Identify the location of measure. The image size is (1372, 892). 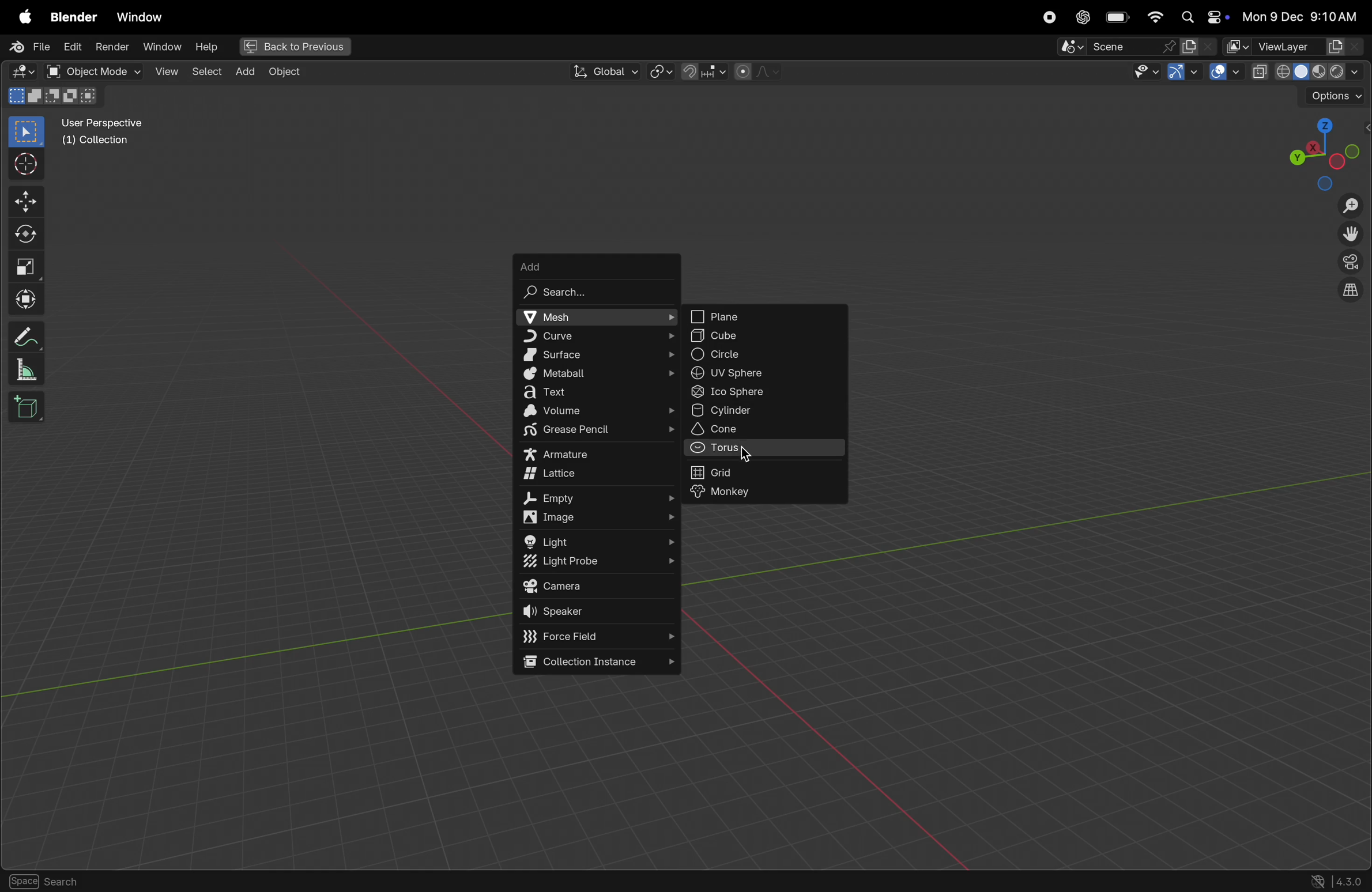
(26, 371).